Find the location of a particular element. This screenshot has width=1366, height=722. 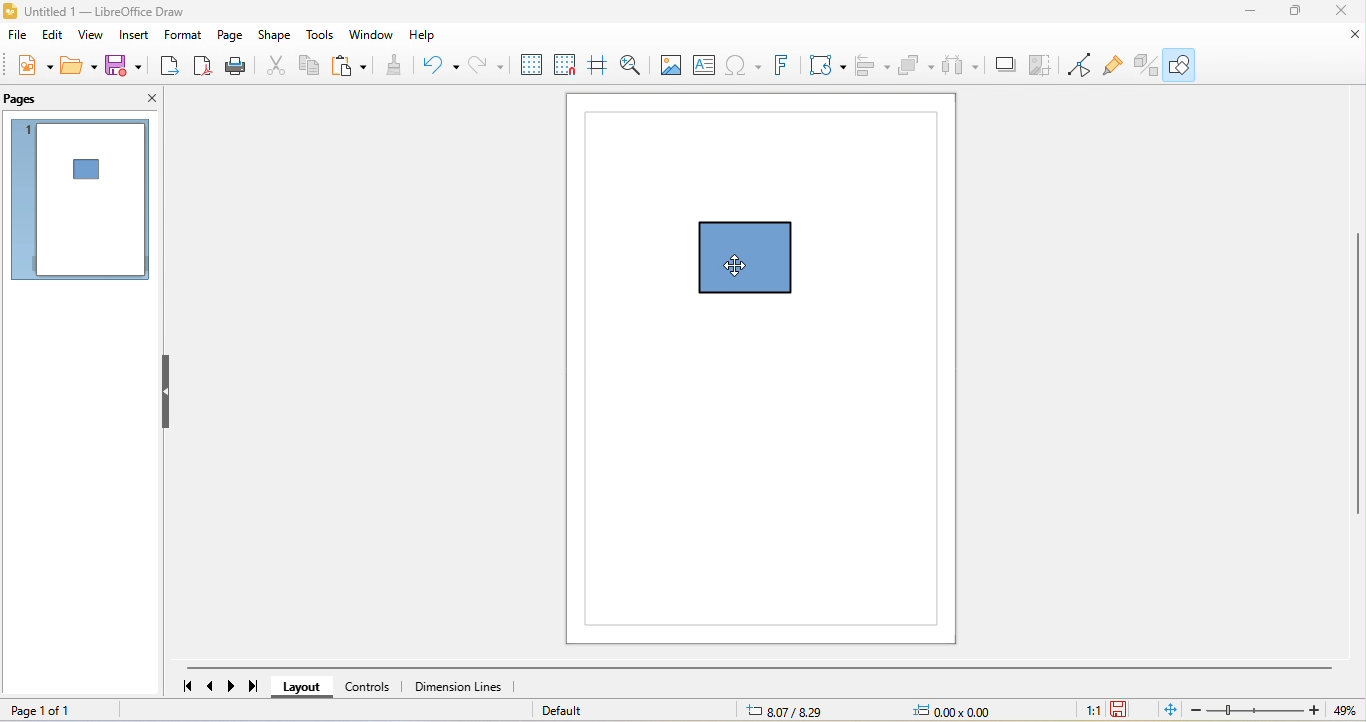

cut is located at coordinates (275, 68).